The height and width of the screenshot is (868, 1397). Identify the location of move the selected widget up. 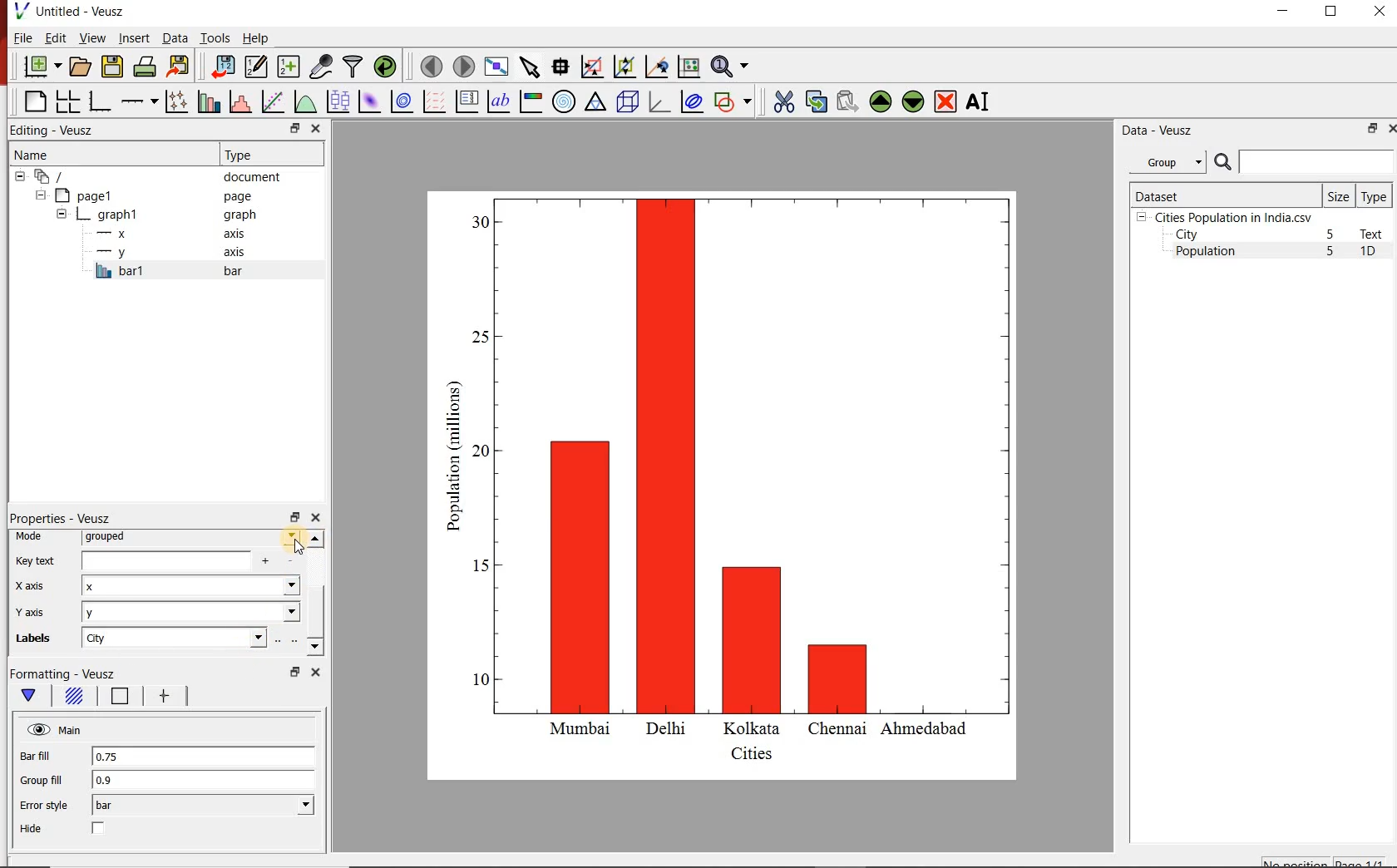
(881, 101).